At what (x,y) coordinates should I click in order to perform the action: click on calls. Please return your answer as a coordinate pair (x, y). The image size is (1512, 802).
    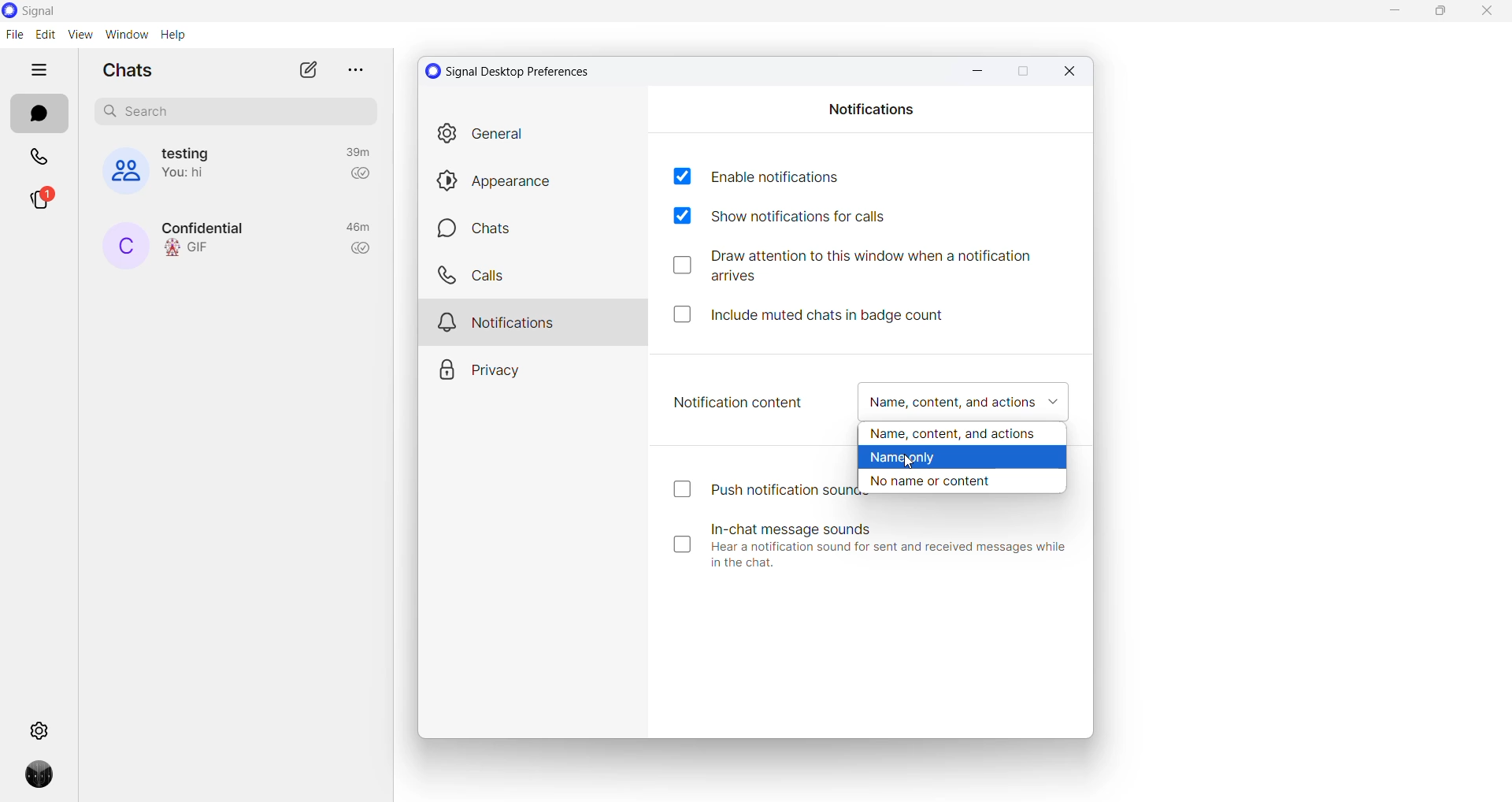
    Looking at the image, I should click on (535, 275).